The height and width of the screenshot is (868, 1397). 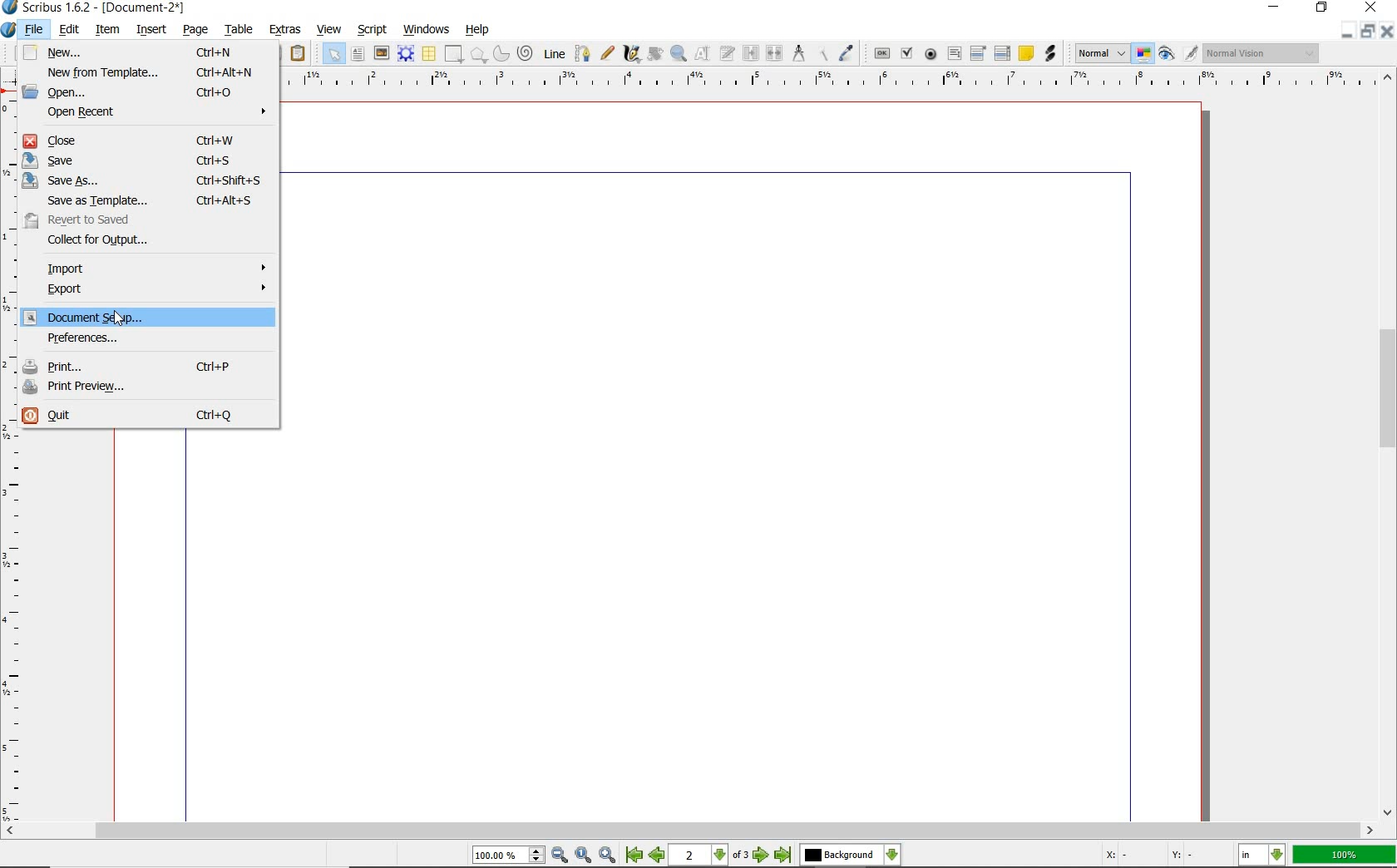 I want to click on restore, so click(x=1321, y=9).